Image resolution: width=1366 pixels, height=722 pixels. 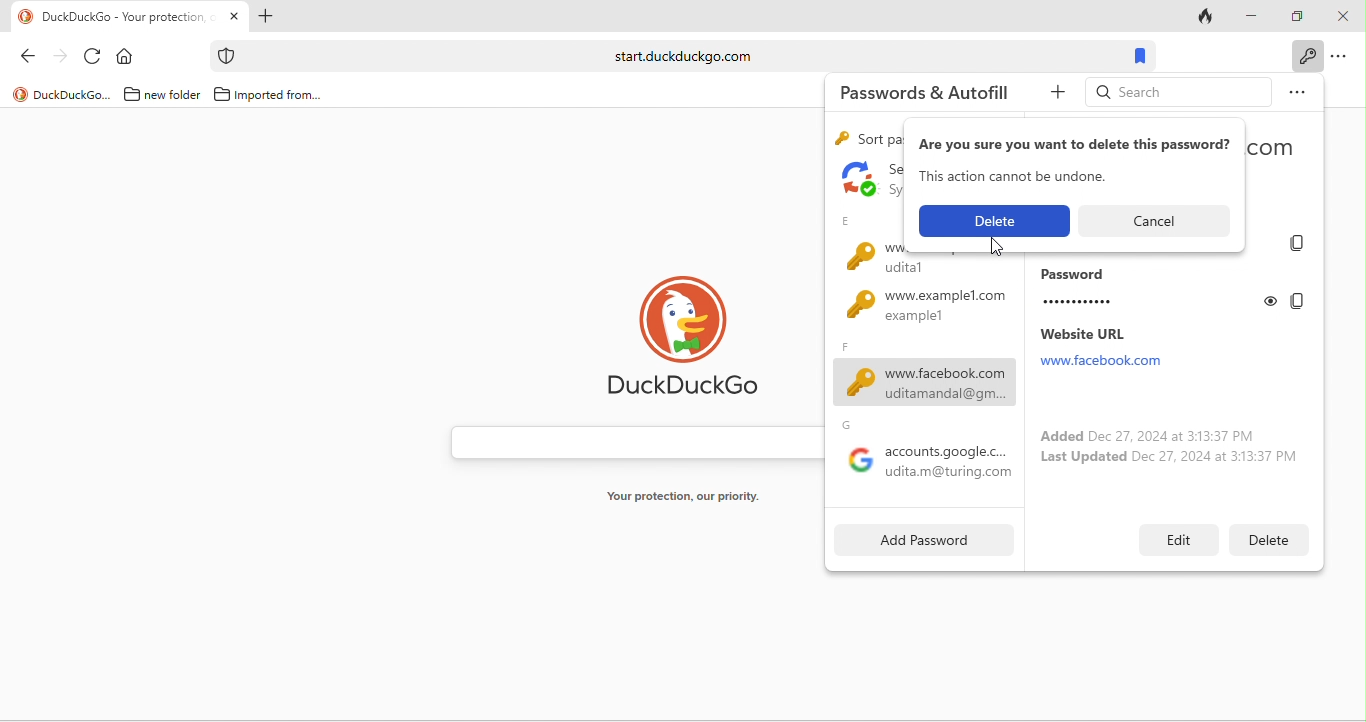 What do you see at coordinates (1343, 18) in the screenshot?
I see `close` at bounding box center [1343, 18].